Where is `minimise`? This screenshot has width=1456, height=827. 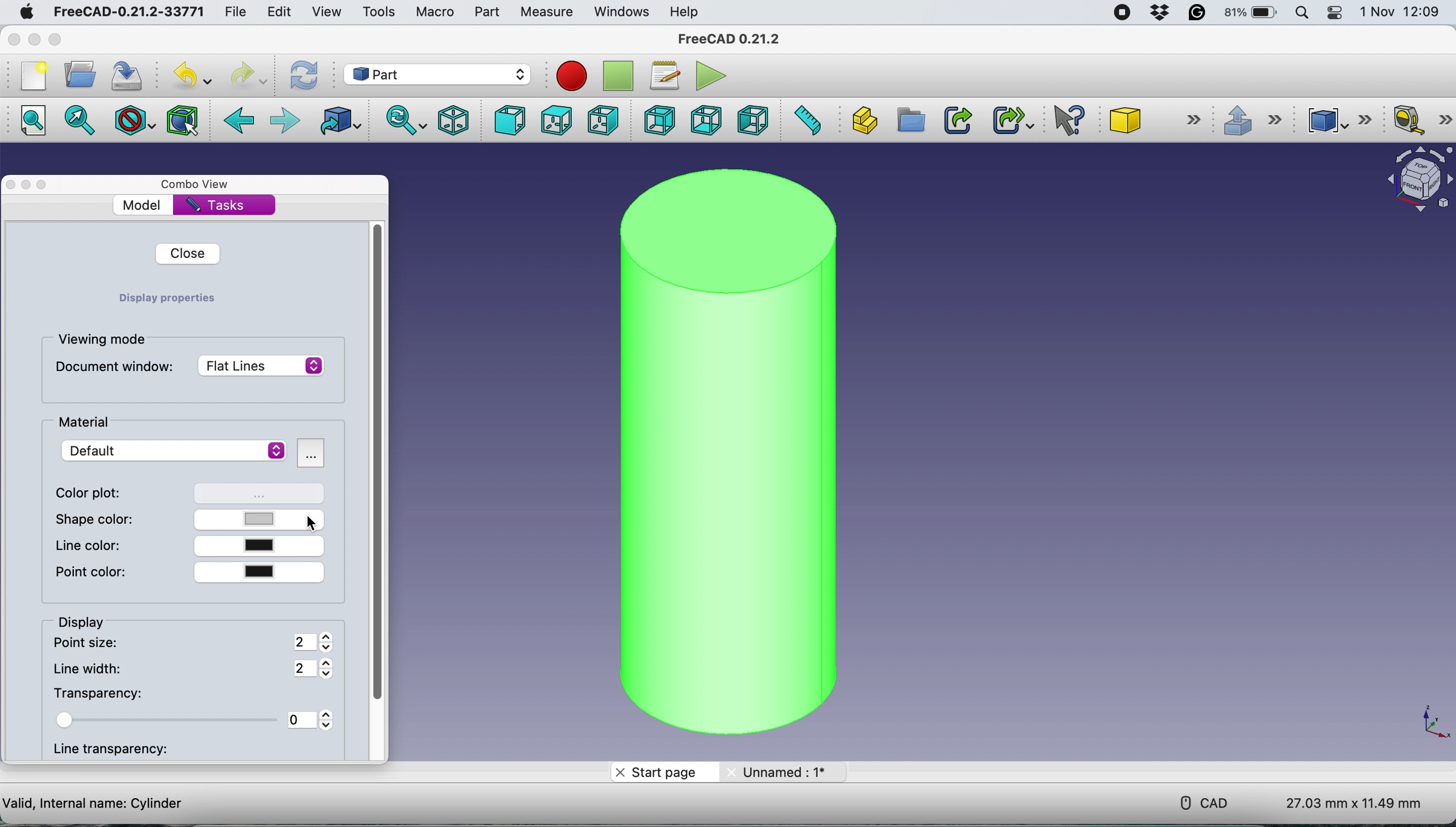
minimise is located at coordinates (35, 40).